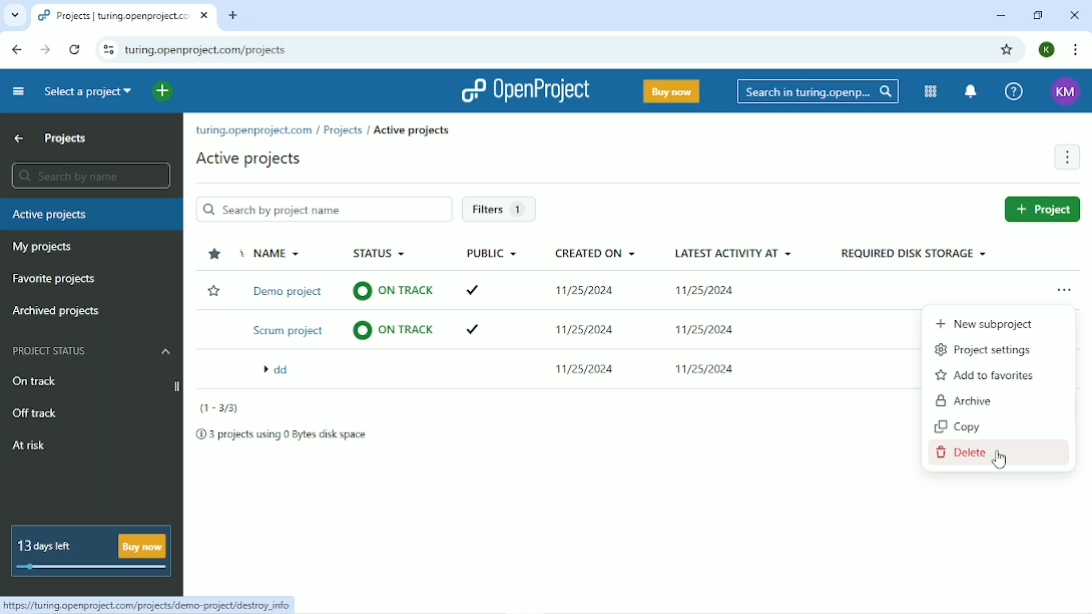  Describe the element at coordinates (705, 371) in the screenshot. I see `11/25/2024` at that location.